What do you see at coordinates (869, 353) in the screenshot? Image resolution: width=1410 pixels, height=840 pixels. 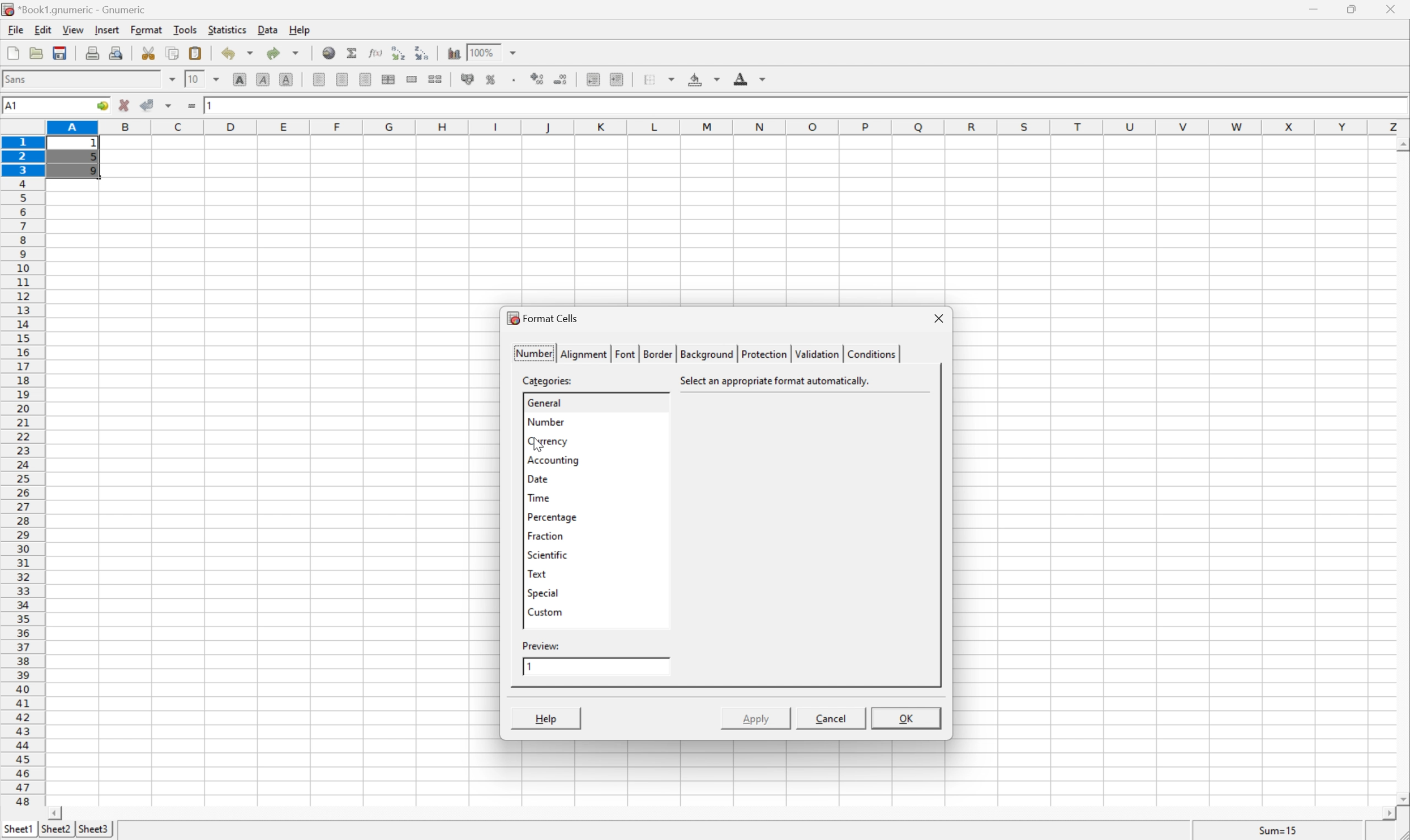 I see `conditions` at bounding box center [869, 353].